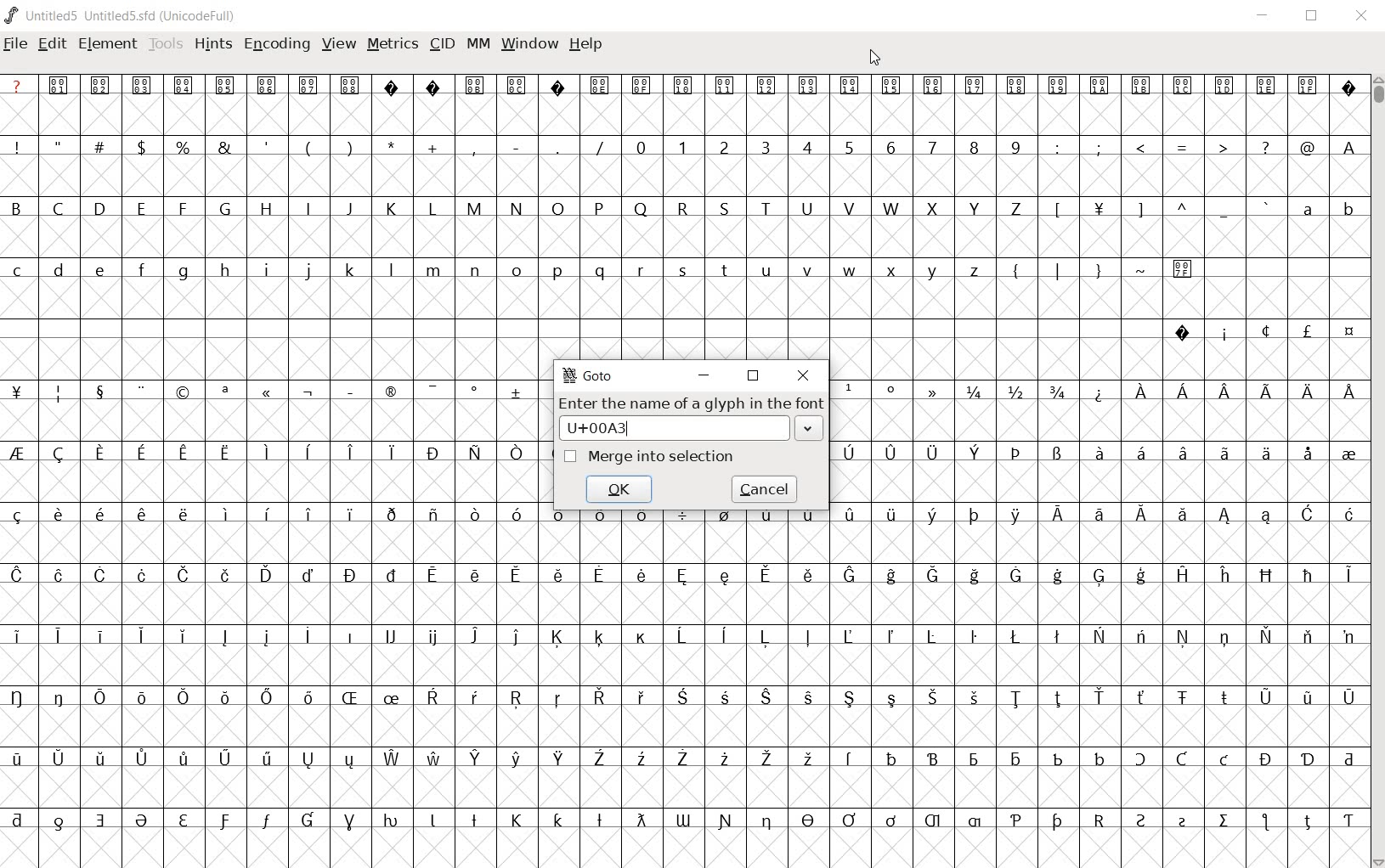 This screenshot has height=868, width=1385. What do you see at coordinates (1308, 819) in the screenshot?
I see `Symbol` at bounding box center [1308, 819].